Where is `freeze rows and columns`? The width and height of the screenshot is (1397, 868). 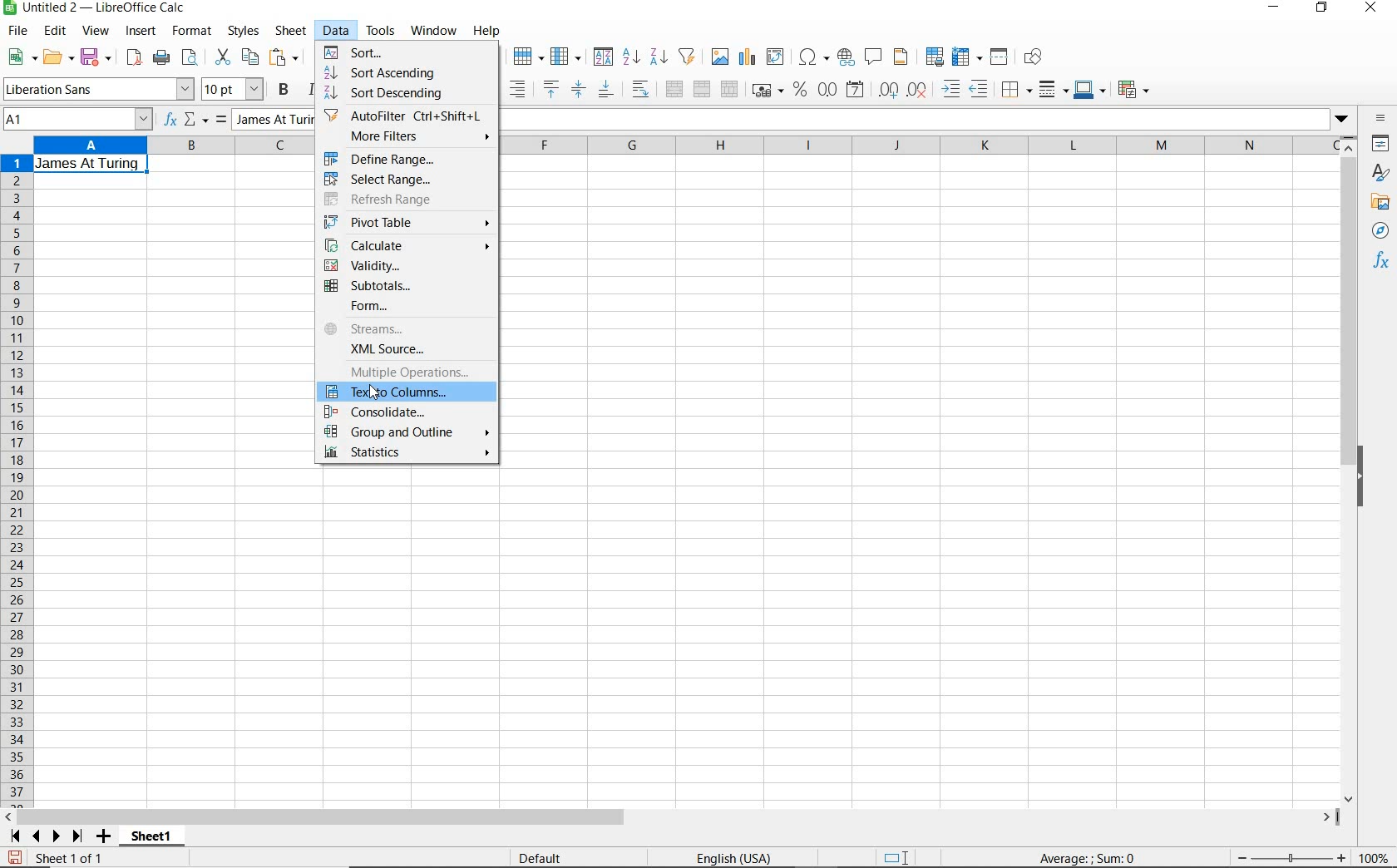
freeze rows and columns is located at coordinates (967, 57).